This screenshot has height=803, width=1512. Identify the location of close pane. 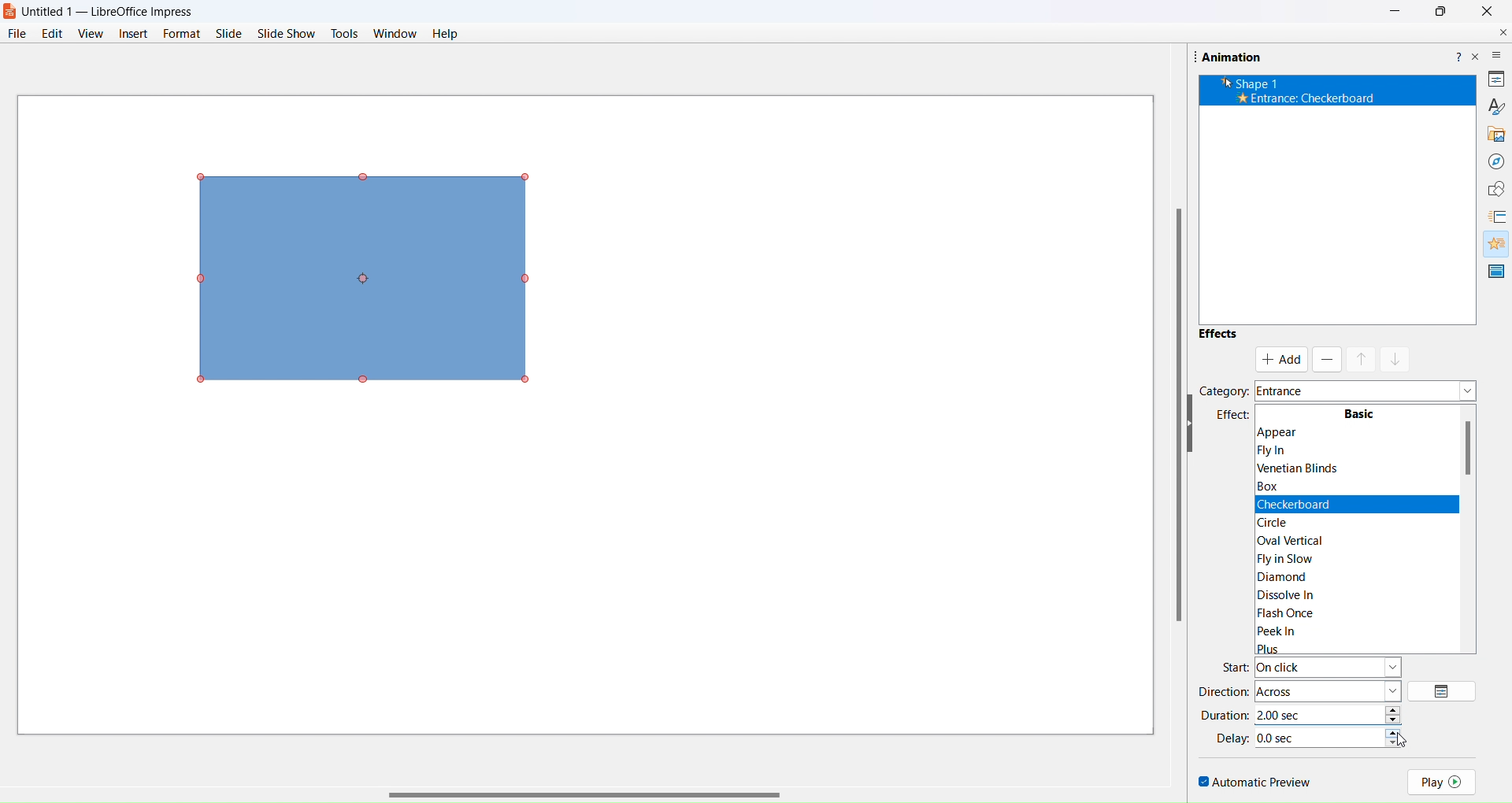
(1477, 61).